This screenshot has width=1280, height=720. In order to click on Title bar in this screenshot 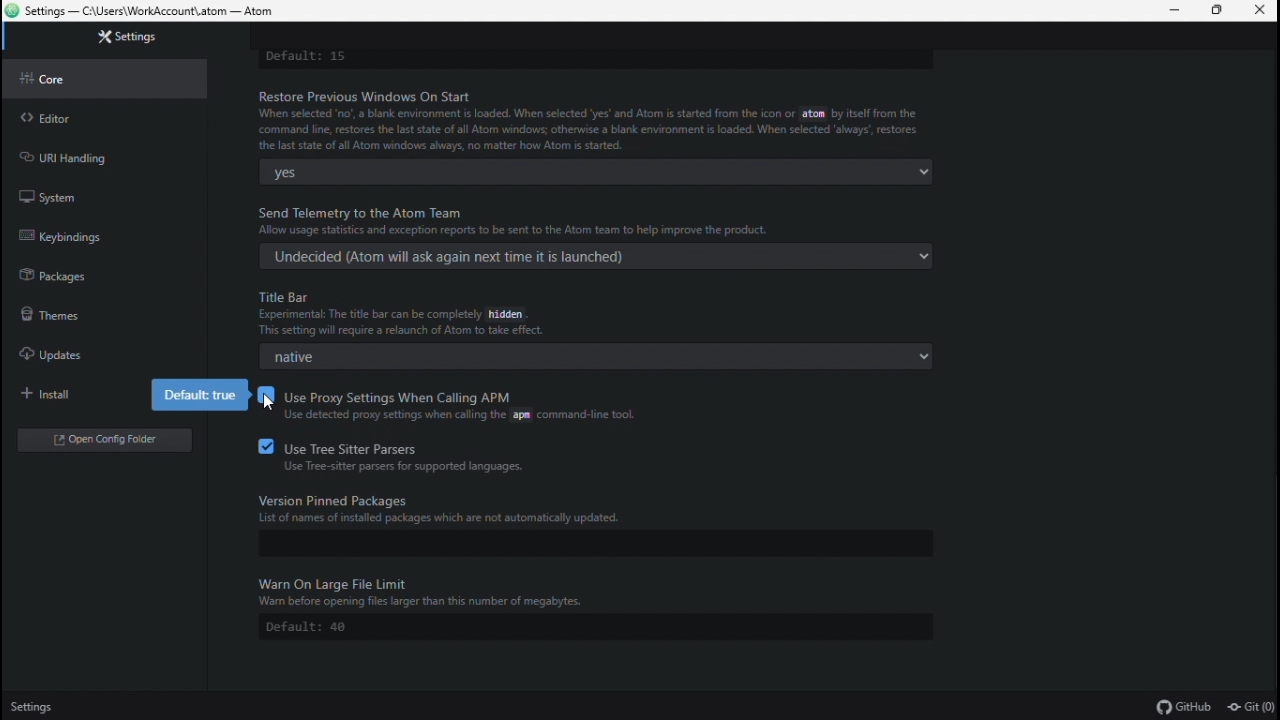, I will do `click(606, 313)`.